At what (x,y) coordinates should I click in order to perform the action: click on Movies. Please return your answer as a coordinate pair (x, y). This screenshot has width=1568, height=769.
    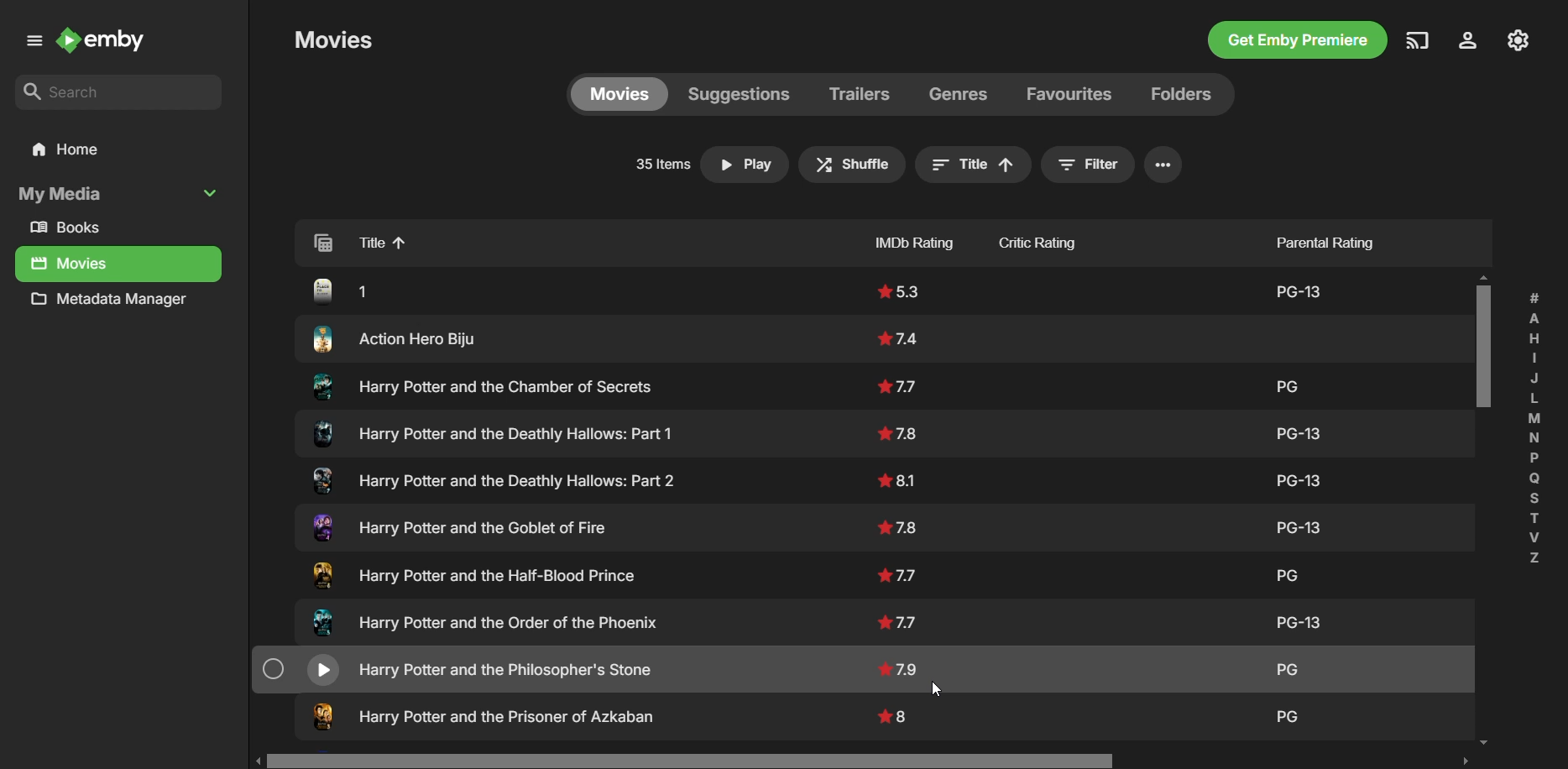
    Looking at the image, I should click on (333, 39).